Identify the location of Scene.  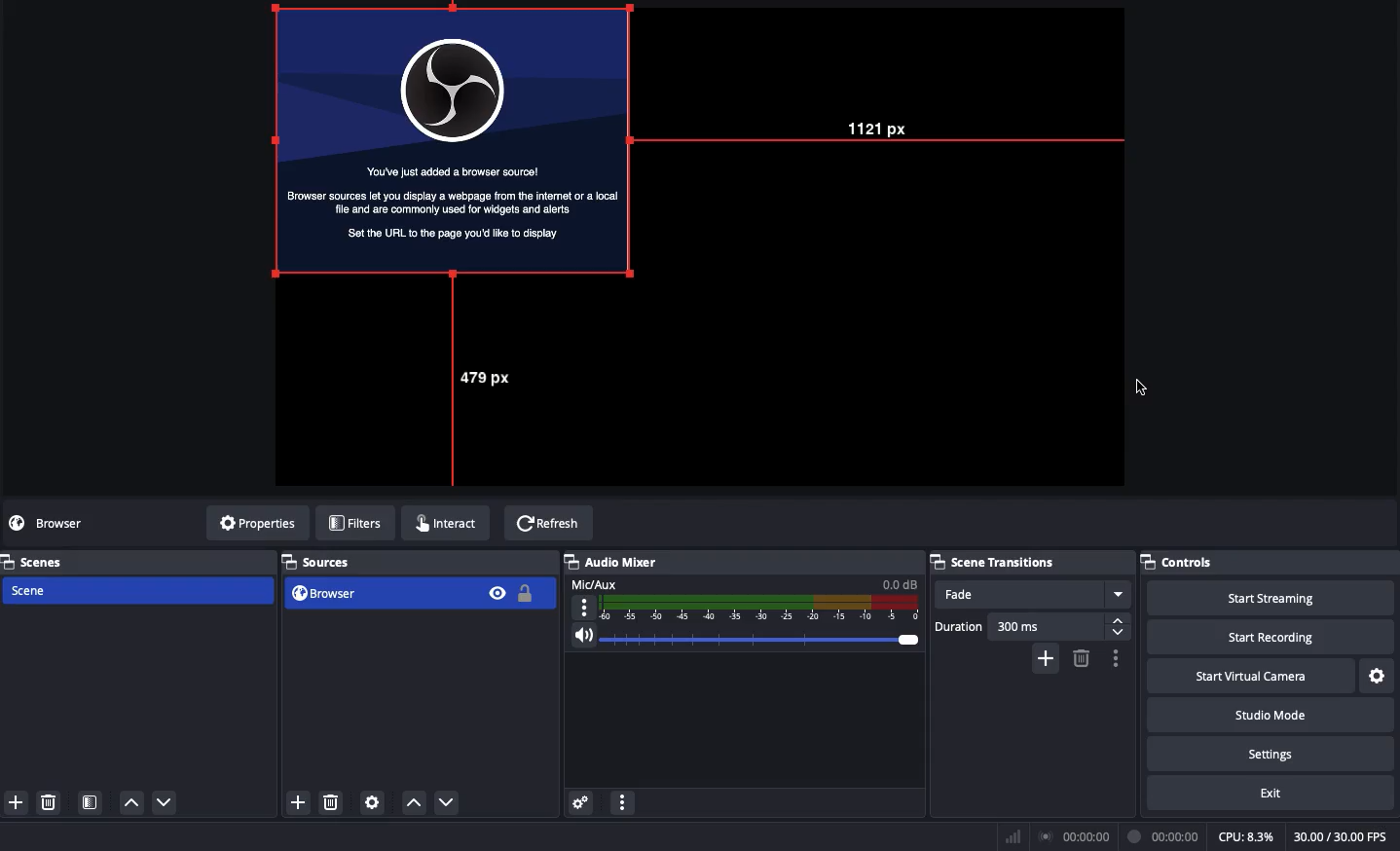
(137, 591).